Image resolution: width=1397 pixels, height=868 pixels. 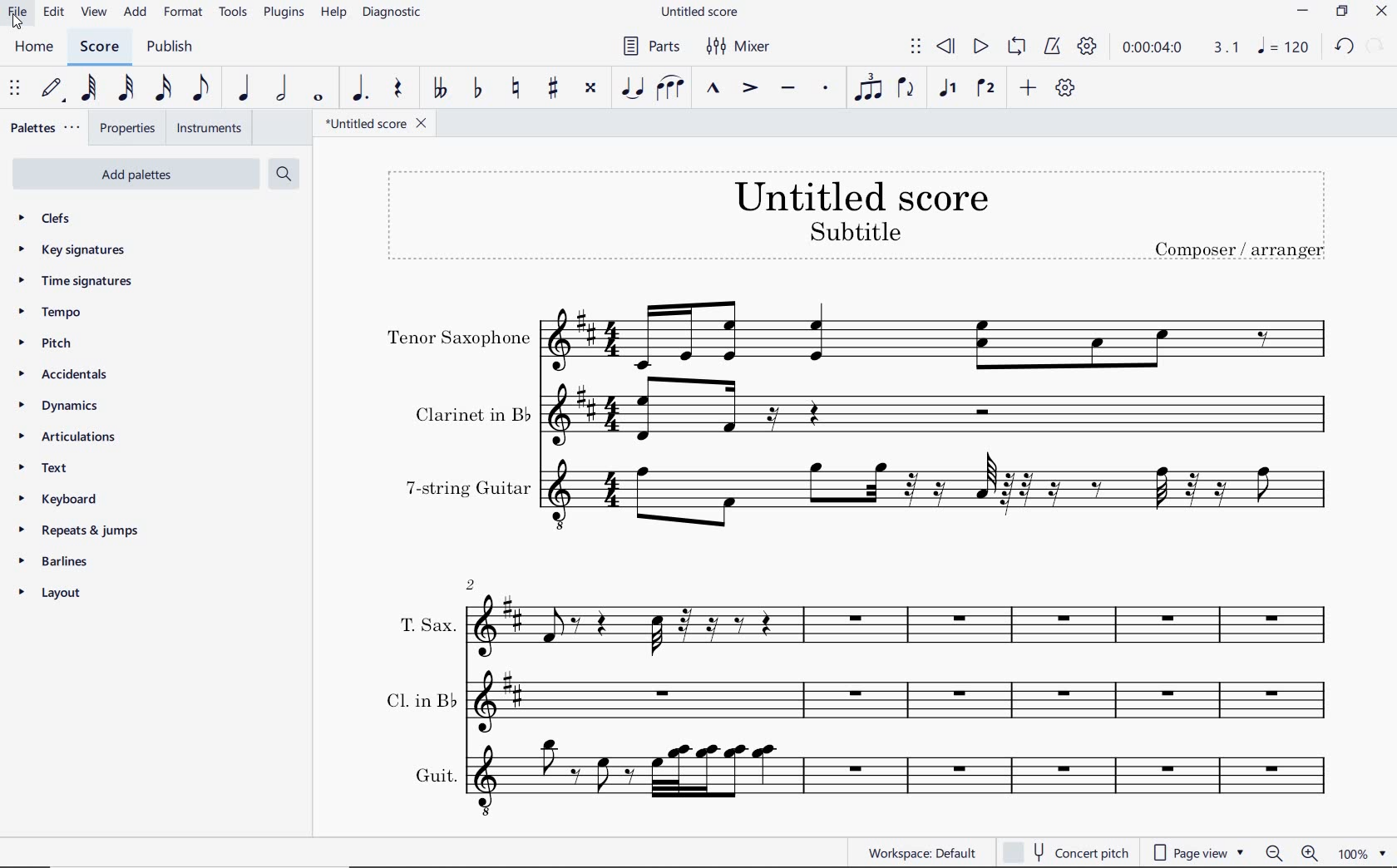 What do you see at coordinates (1283, 46) in the screenshot?
I see `NOTE` at bounding box center [1283, 46].